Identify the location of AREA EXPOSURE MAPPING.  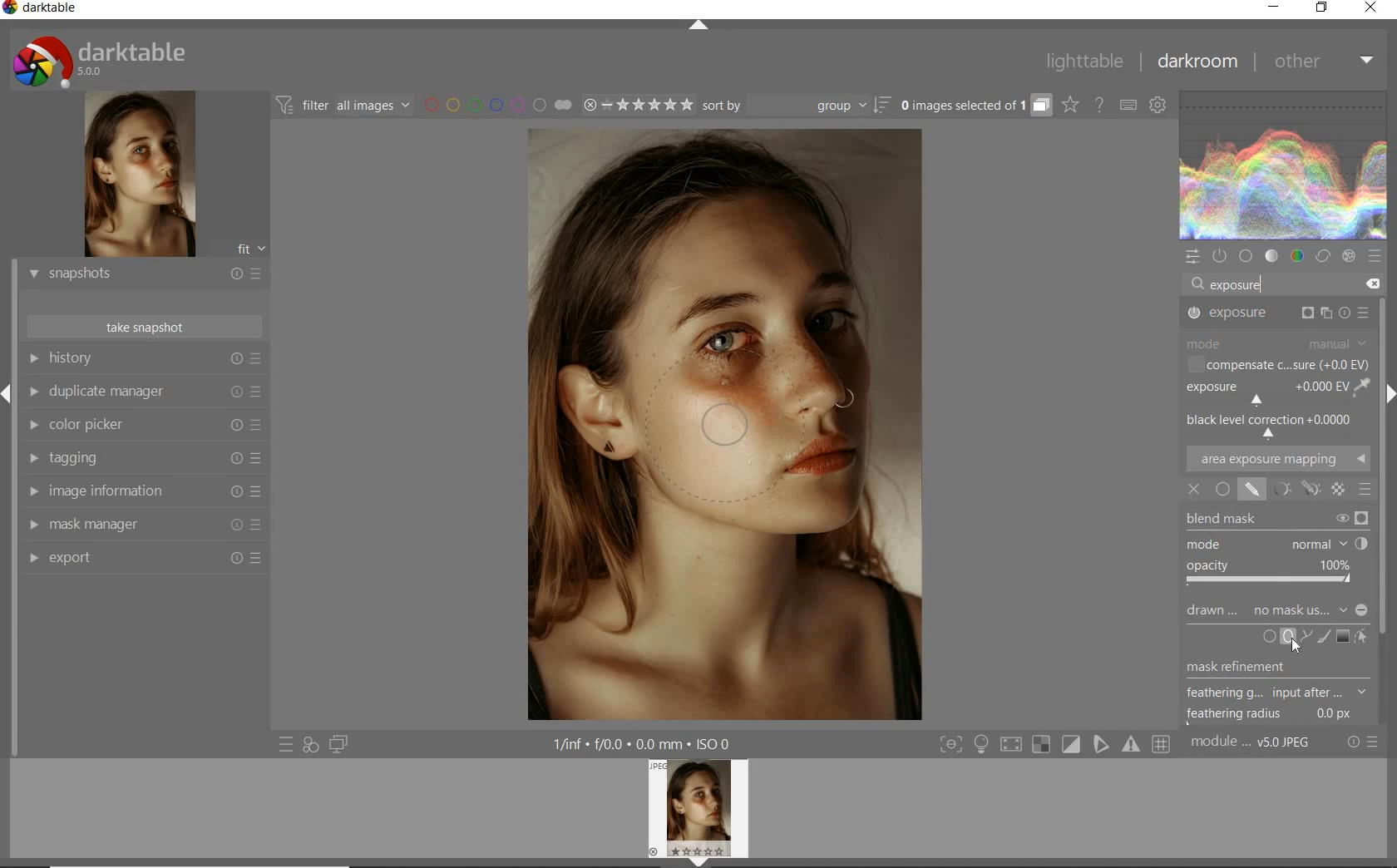
(1276, 460).